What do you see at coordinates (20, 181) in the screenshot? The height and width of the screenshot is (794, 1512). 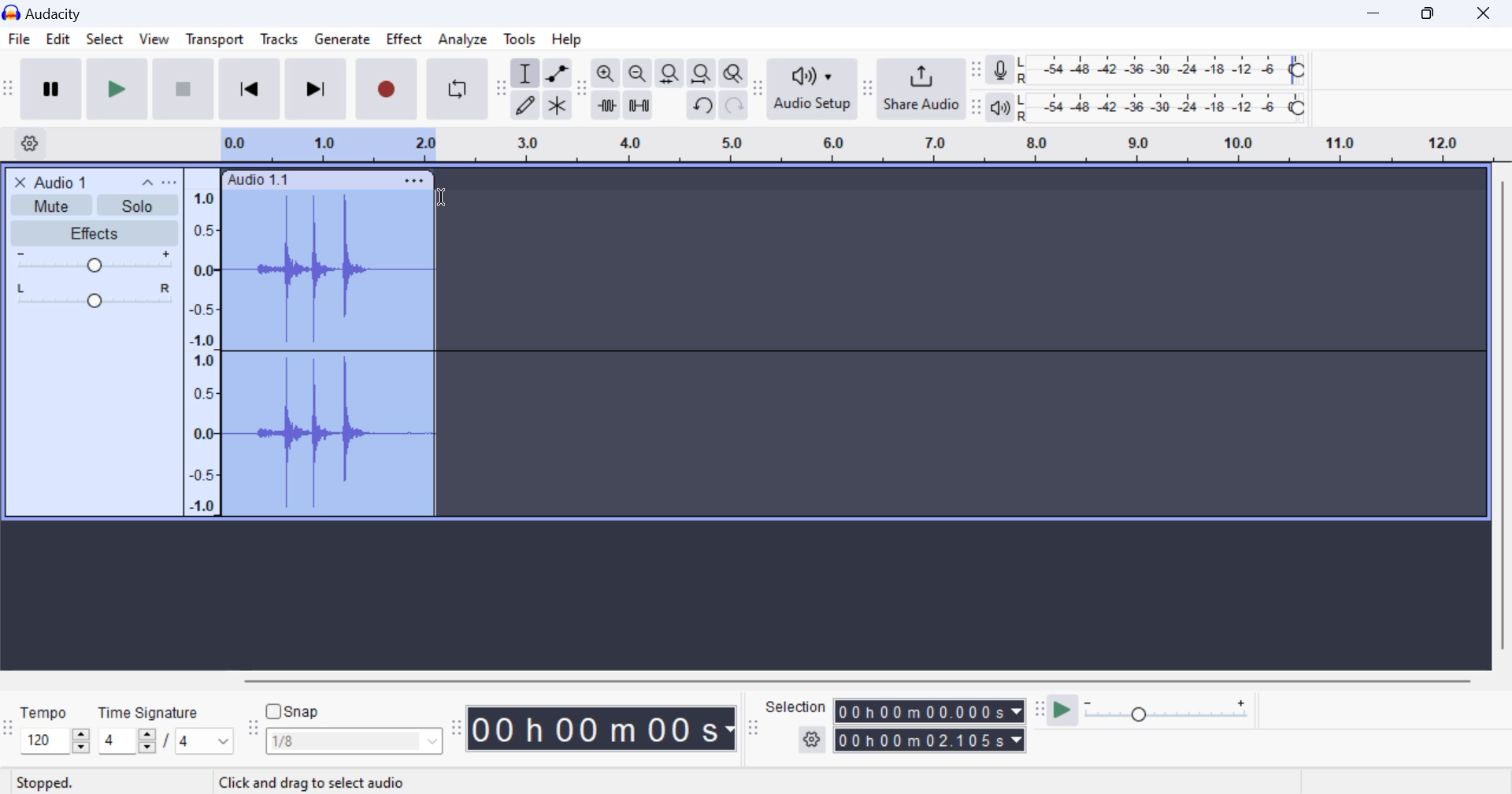 I see `close track` at bounding box center [20, 181].